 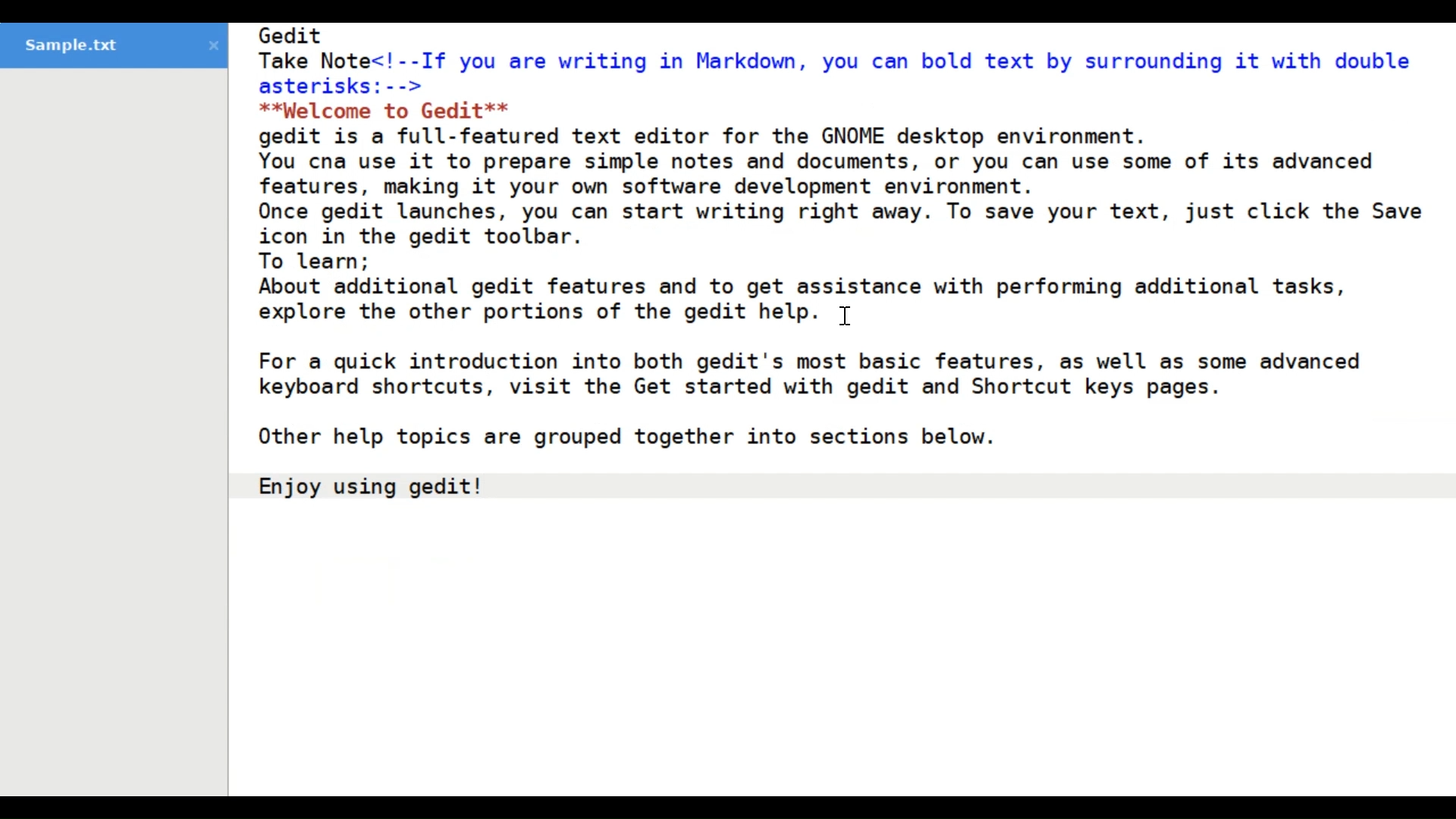 I want to click on Sample.txt, so click(x=112, y=46).